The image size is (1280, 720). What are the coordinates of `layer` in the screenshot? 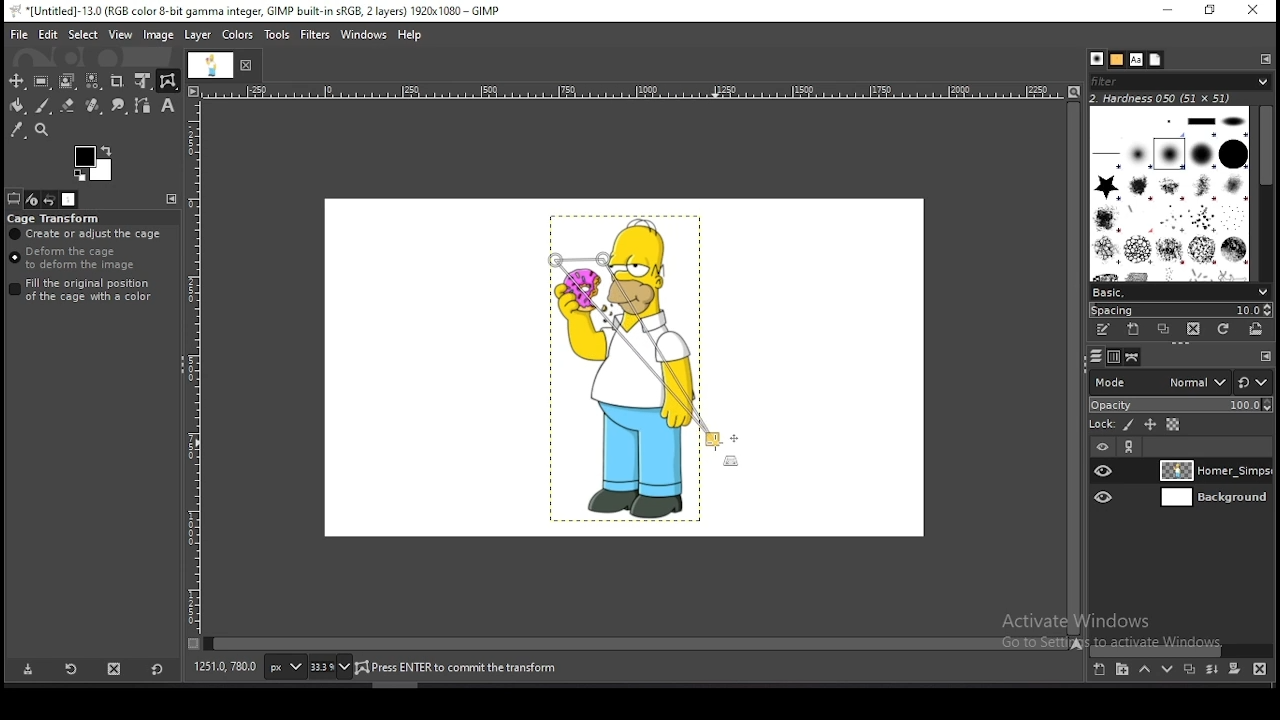 It's located at (199, 36).